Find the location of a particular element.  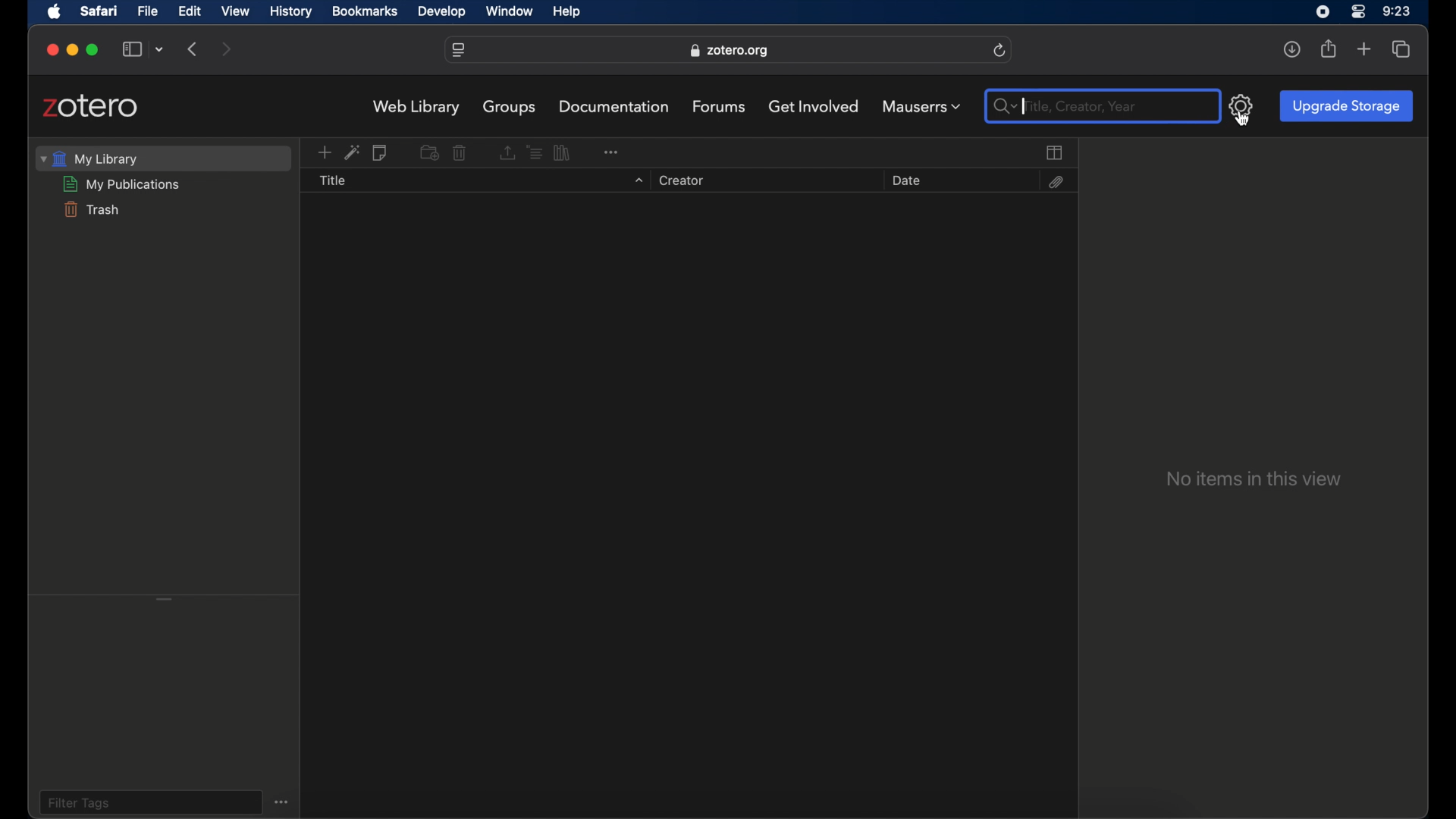

screen recorded is located at coordinates (1323, 11).